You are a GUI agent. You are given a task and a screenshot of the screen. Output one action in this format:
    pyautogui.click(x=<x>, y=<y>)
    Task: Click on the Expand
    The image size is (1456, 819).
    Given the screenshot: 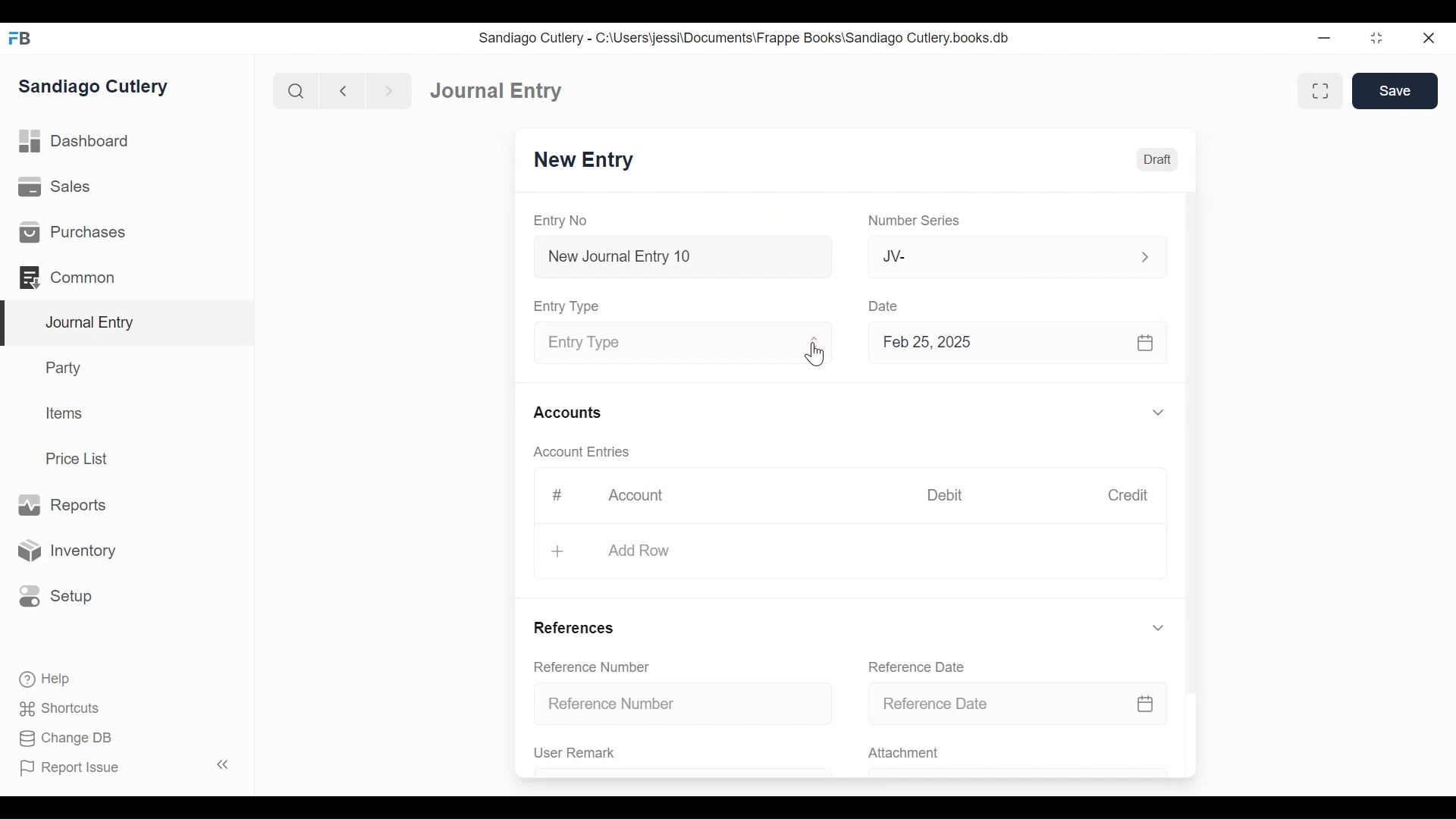 What is the action you would take?
    pyautogui.click(x=1144, y=256)
    